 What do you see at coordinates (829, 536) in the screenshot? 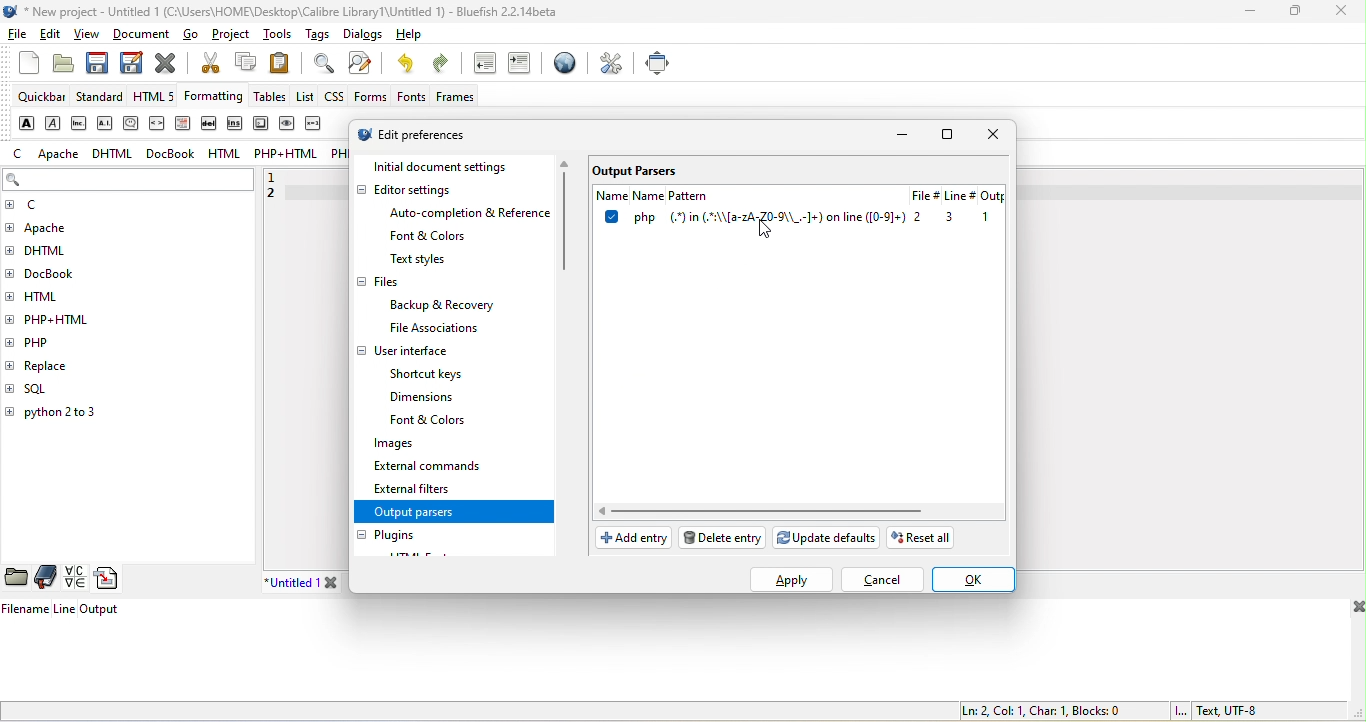
I see `update defaults` at bounding box center [829, 536].